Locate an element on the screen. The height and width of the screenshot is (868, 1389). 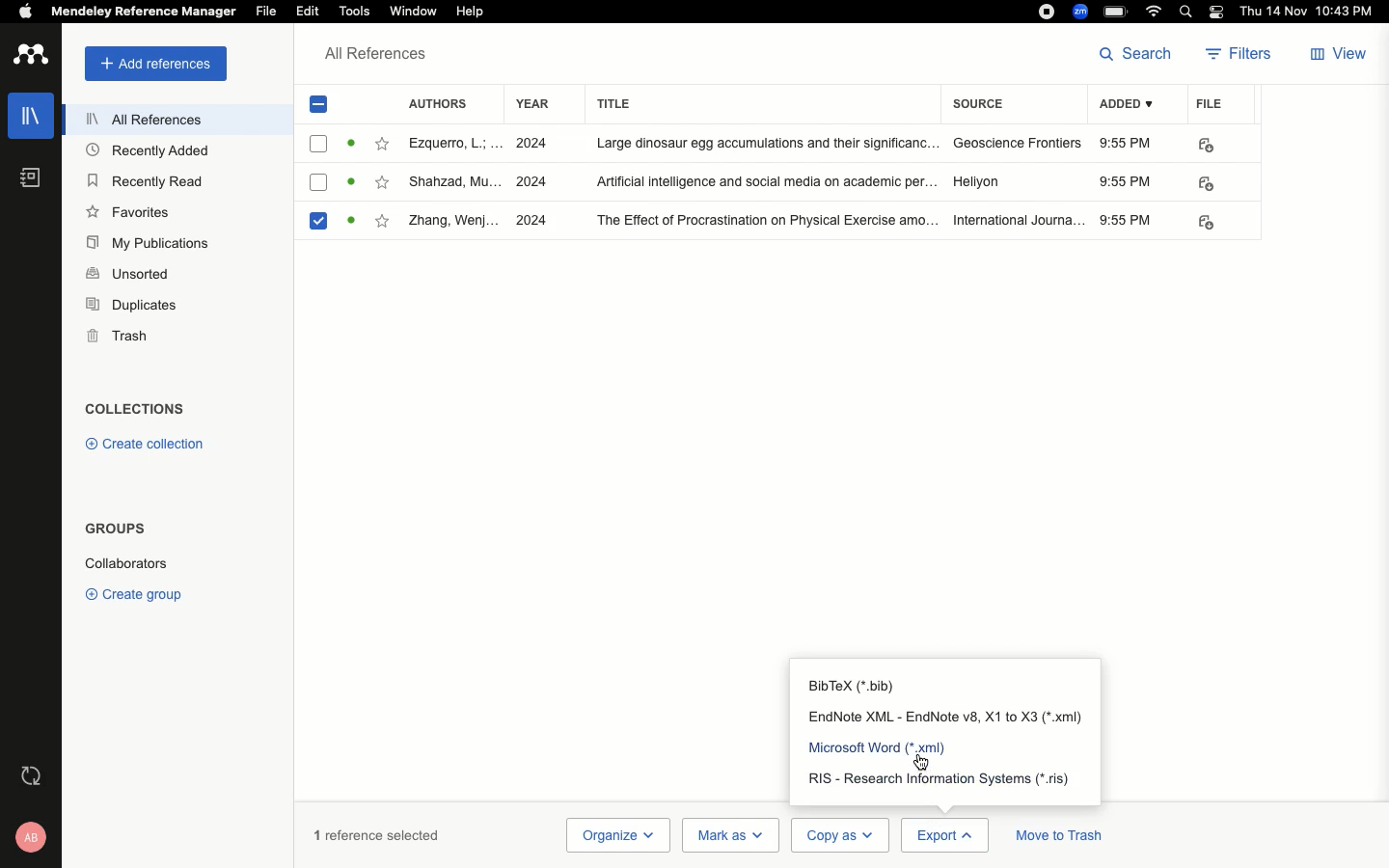
Move to trash is located at coordinates (1059, 838).